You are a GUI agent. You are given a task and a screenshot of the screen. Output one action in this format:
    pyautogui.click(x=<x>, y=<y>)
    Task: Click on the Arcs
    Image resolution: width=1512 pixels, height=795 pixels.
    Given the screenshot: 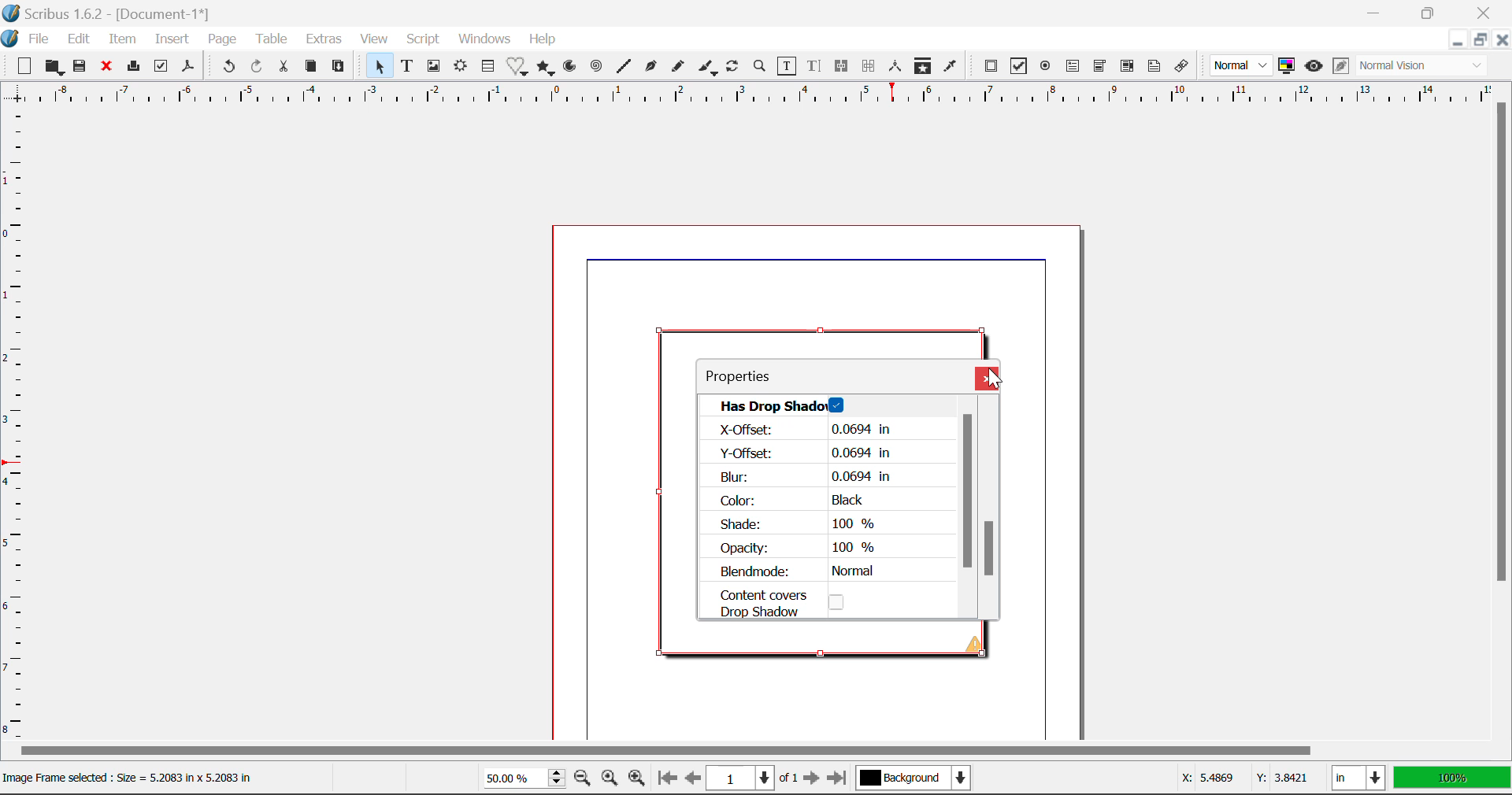 What is the action you would take?
    pyautogui.click(x=568, y=70)
    